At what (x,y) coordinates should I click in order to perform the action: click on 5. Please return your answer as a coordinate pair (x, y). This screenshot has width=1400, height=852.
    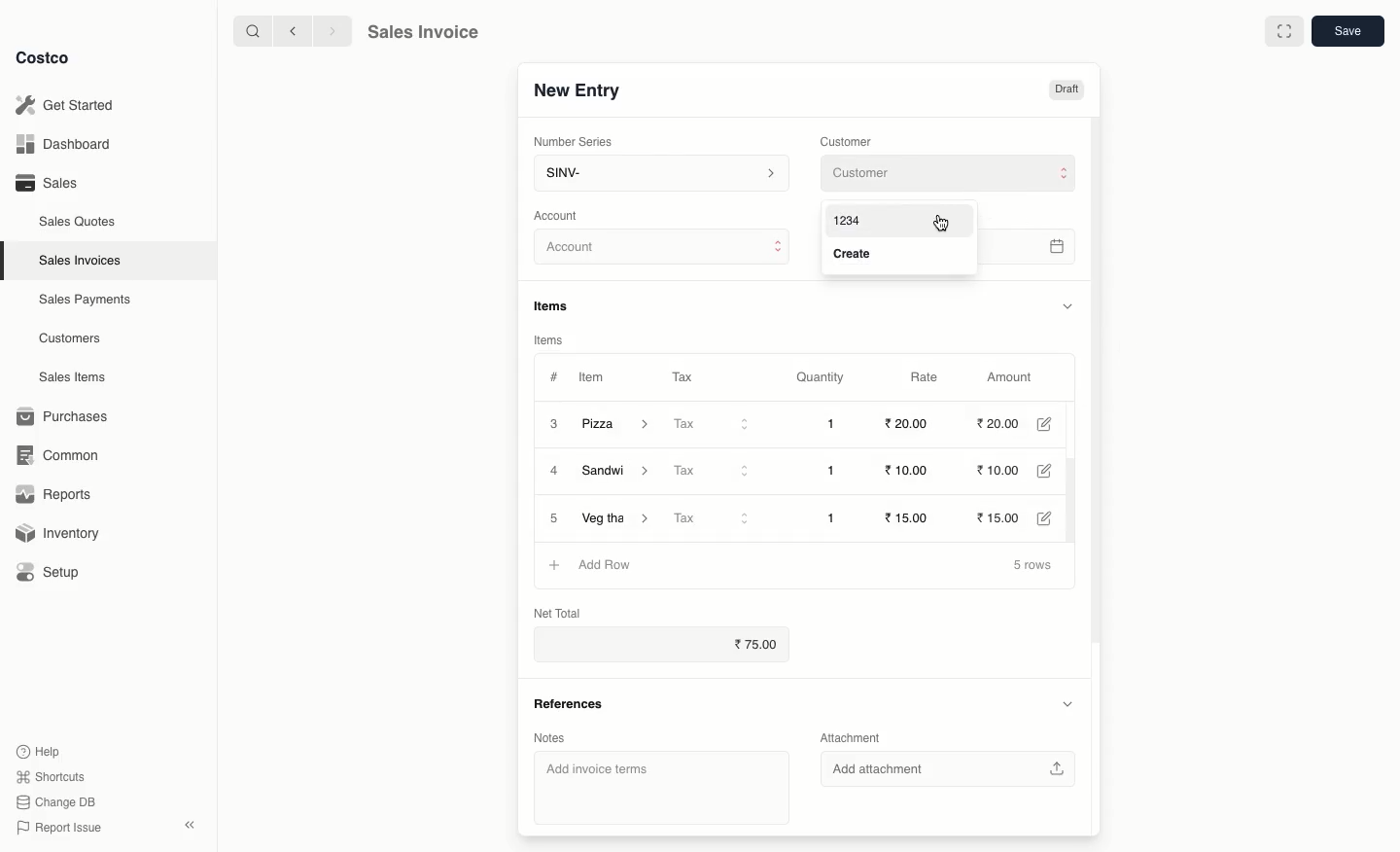
    Looking at the image, I should click on (554, 518).